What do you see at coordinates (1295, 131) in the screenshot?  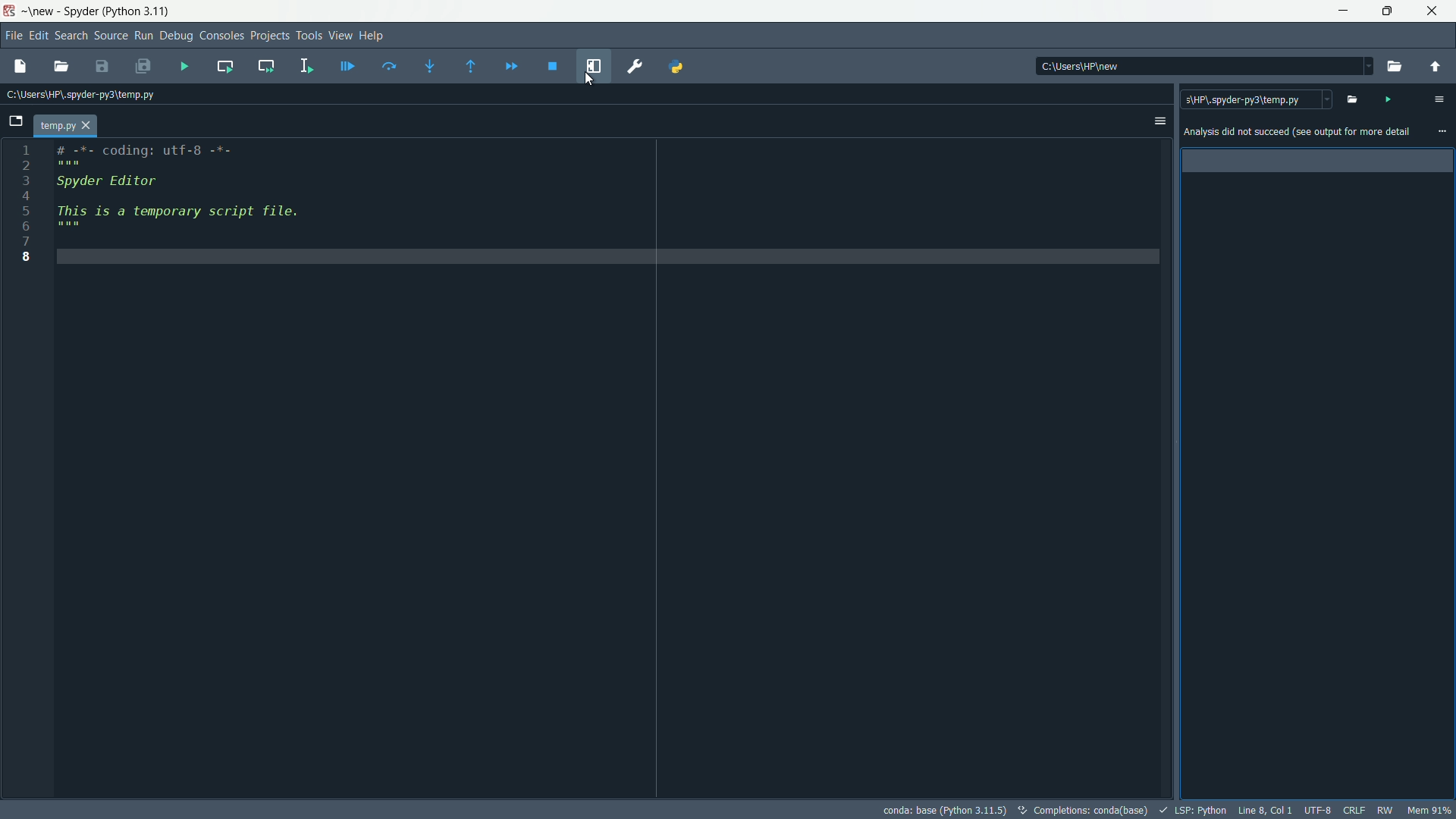 I see `Analysis did not succeed (see output for more detail` at bounding box center [1295, 131].